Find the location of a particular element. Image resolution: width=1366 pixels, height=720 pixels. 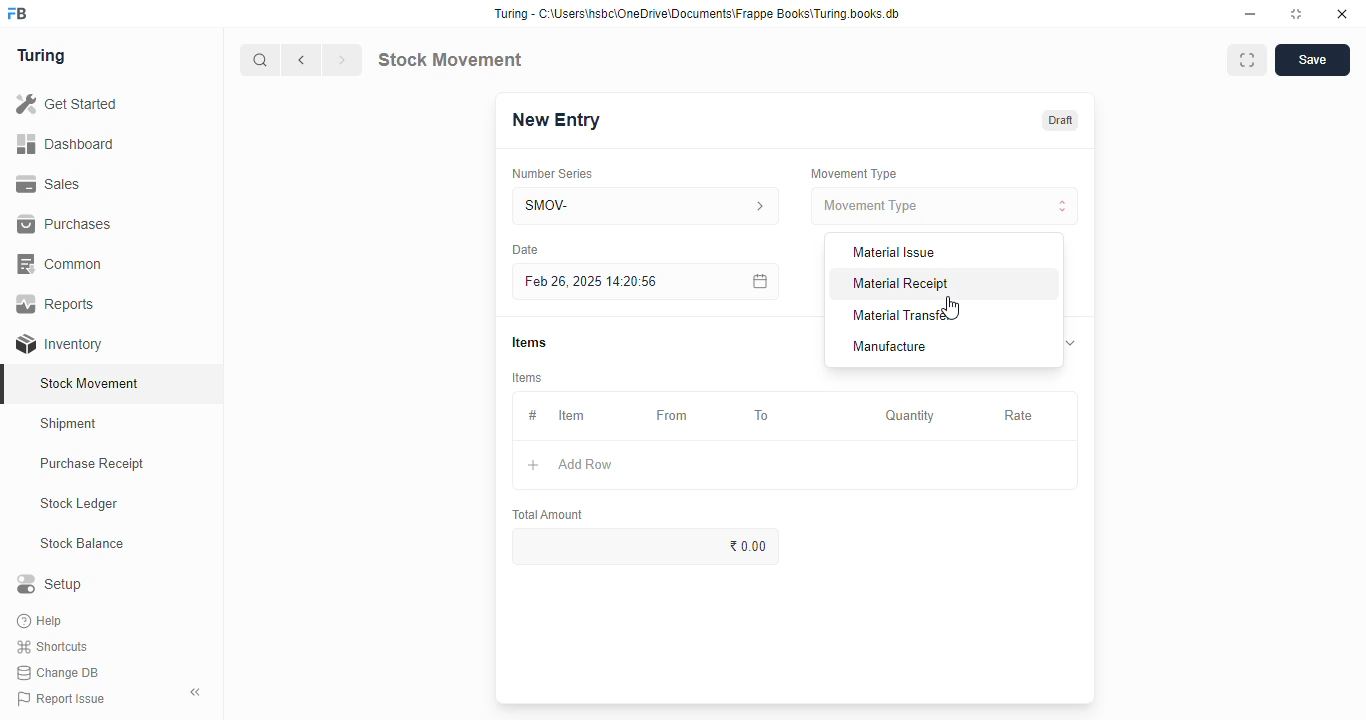

add row is located at coordinates (585, 464).